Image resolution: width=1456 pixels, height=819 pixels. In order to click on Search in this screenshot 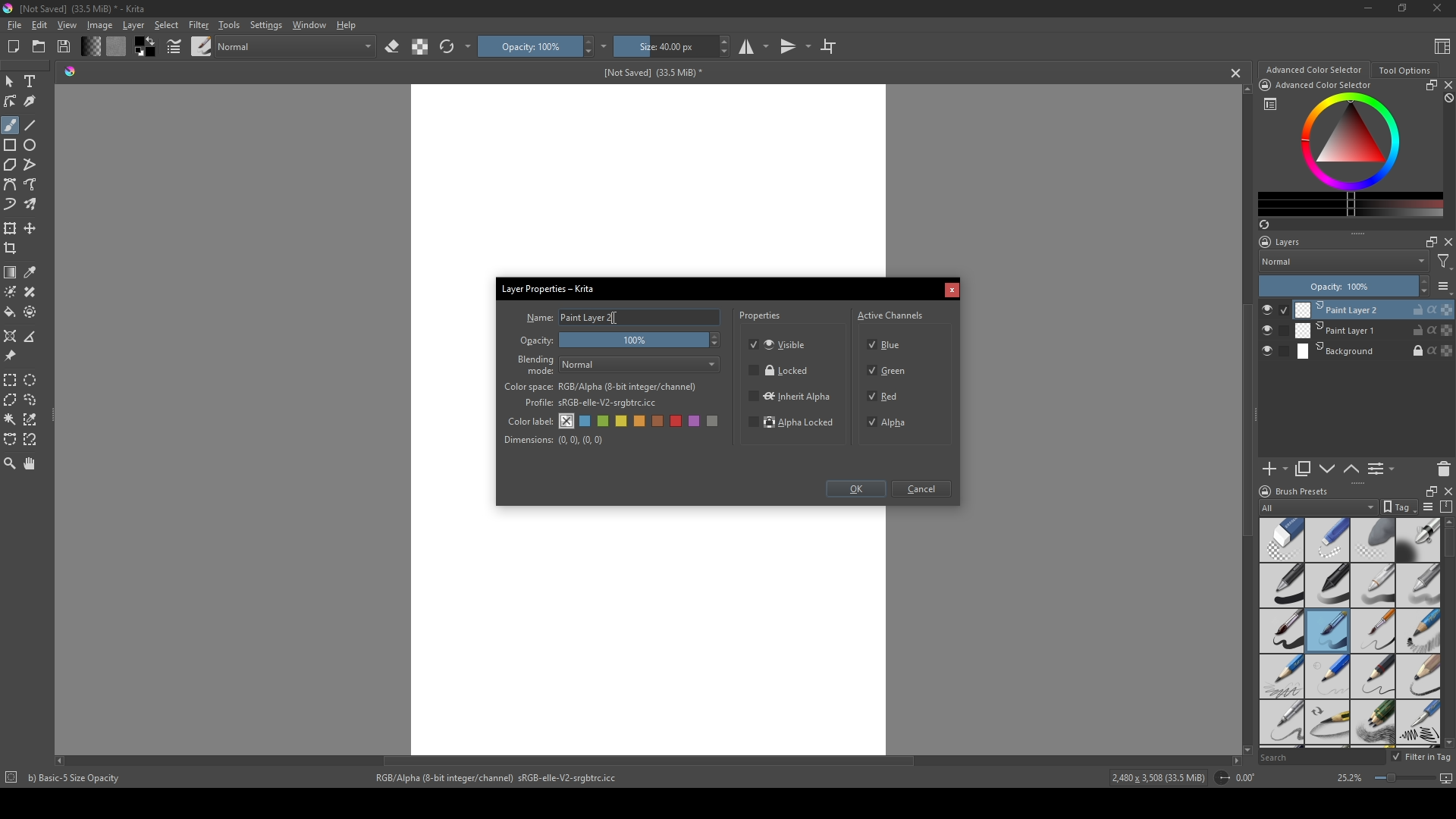, I will do `click(1321, 758)`.